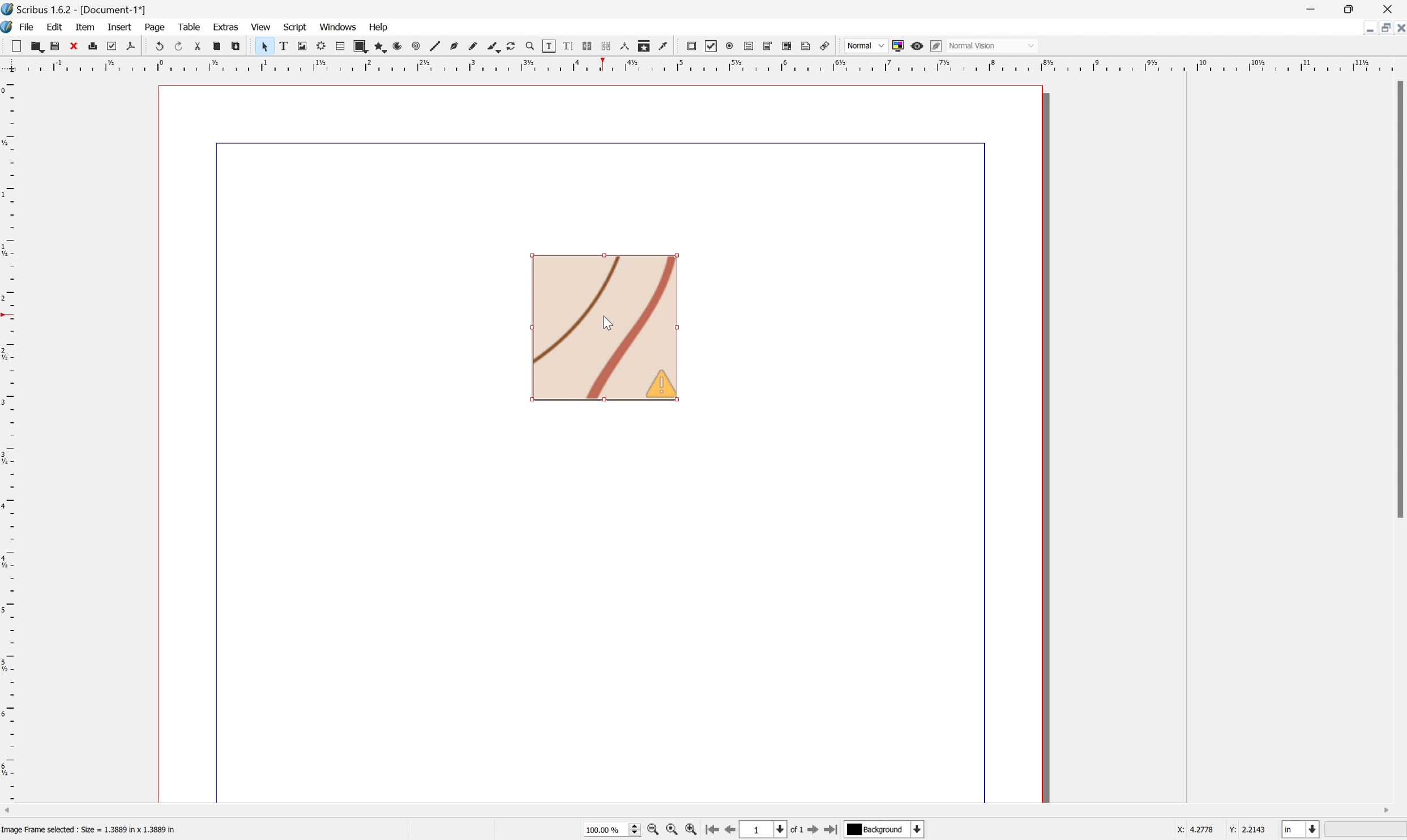  Describe the element at coordinates (95, 46) in the screenshot. I see `Print` at that location.